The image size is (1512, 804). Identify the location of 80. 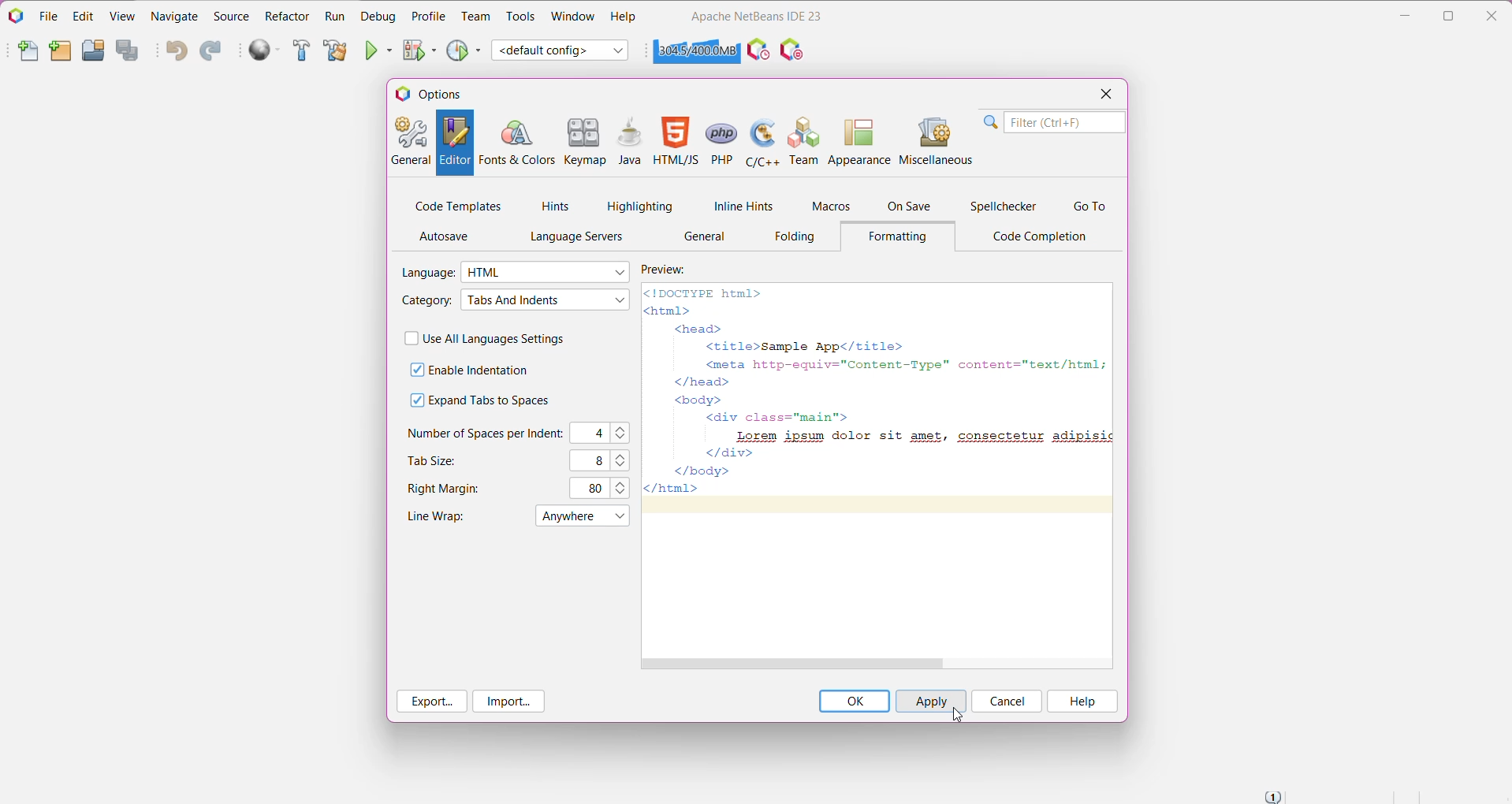
(593, 488).